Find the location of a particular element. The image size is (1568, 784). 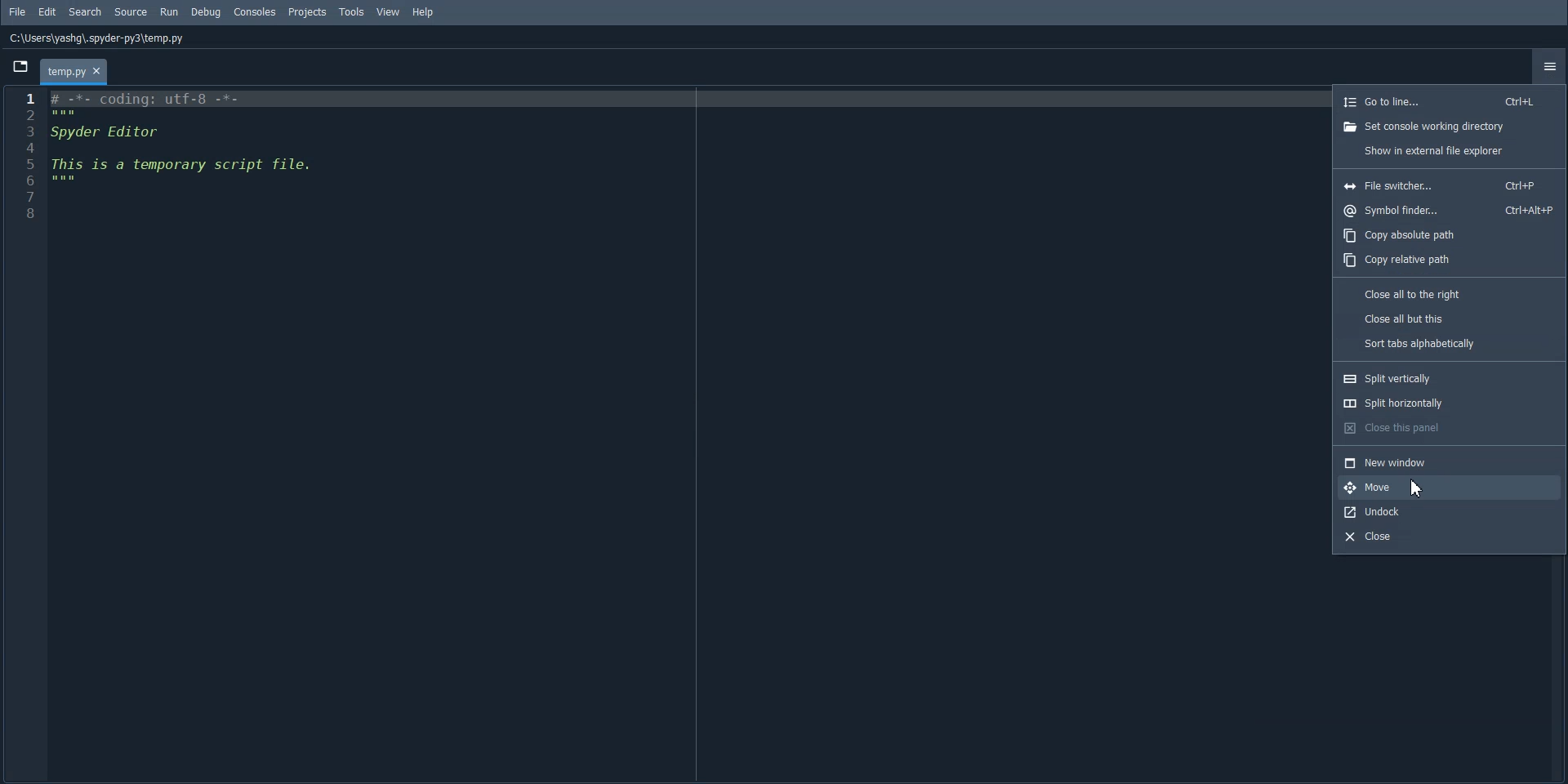

Go to line is located at coordinates (1448, 101).